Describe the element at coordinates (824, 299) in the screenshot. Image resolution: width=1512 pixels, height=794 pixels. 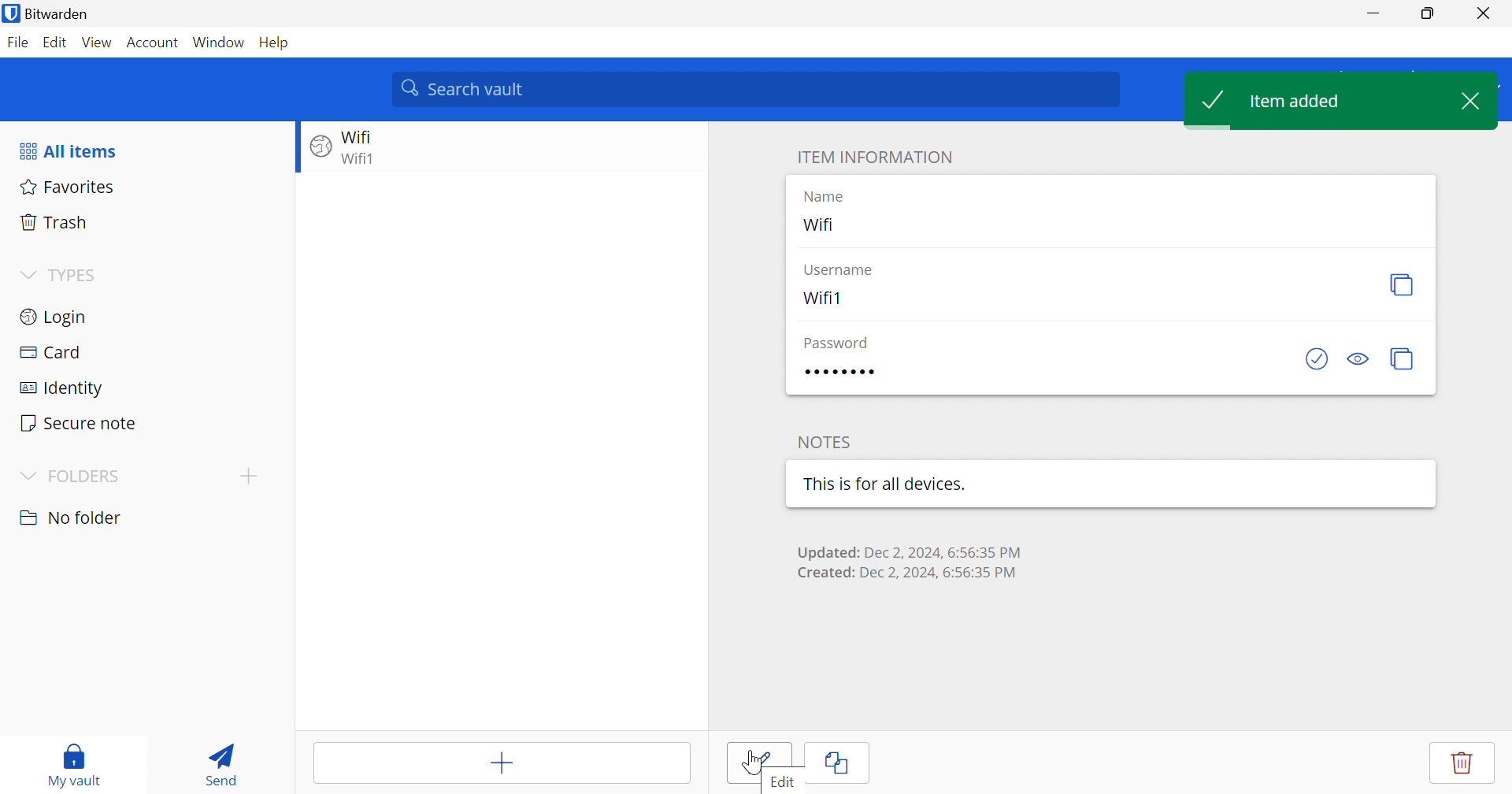
I see `Wifi1` at that location.